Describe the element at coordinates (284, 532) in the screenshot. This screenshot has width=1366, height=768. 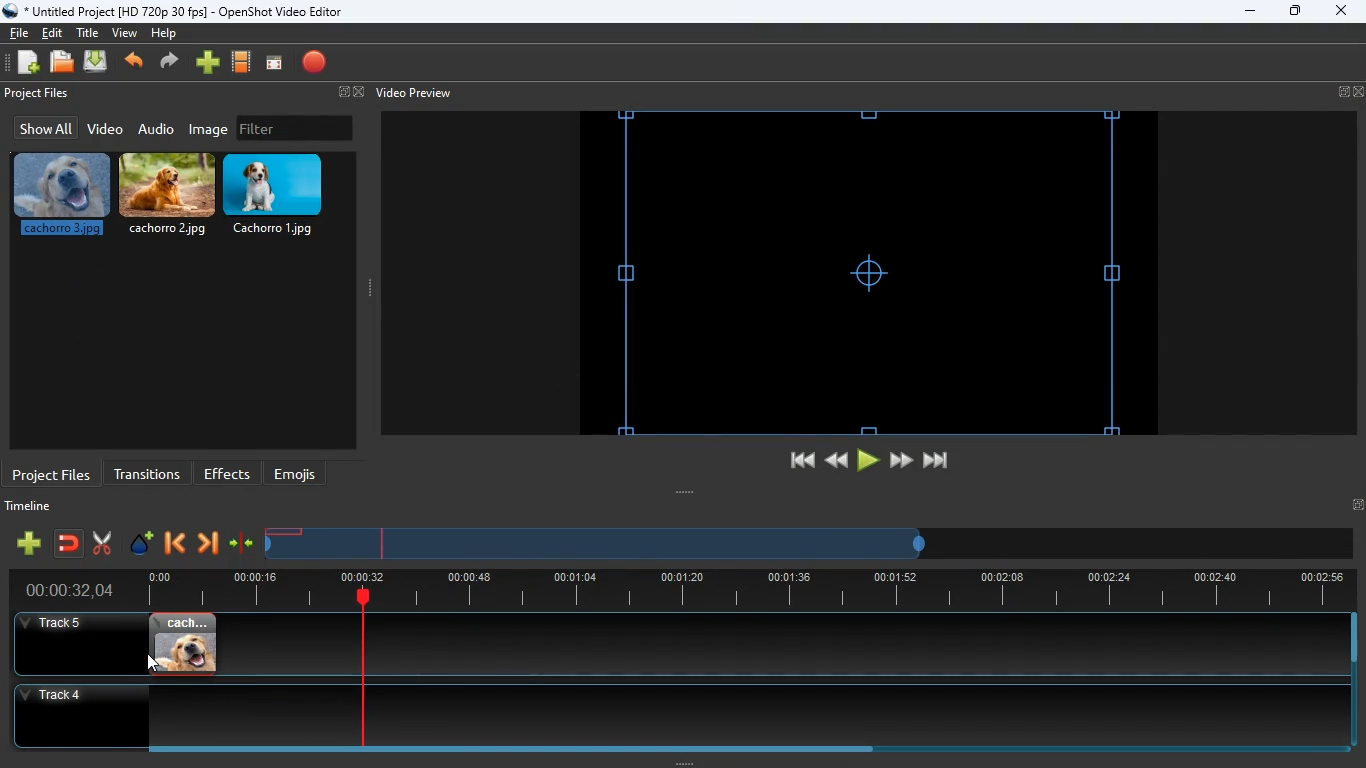
I see `image timeline` at that location.